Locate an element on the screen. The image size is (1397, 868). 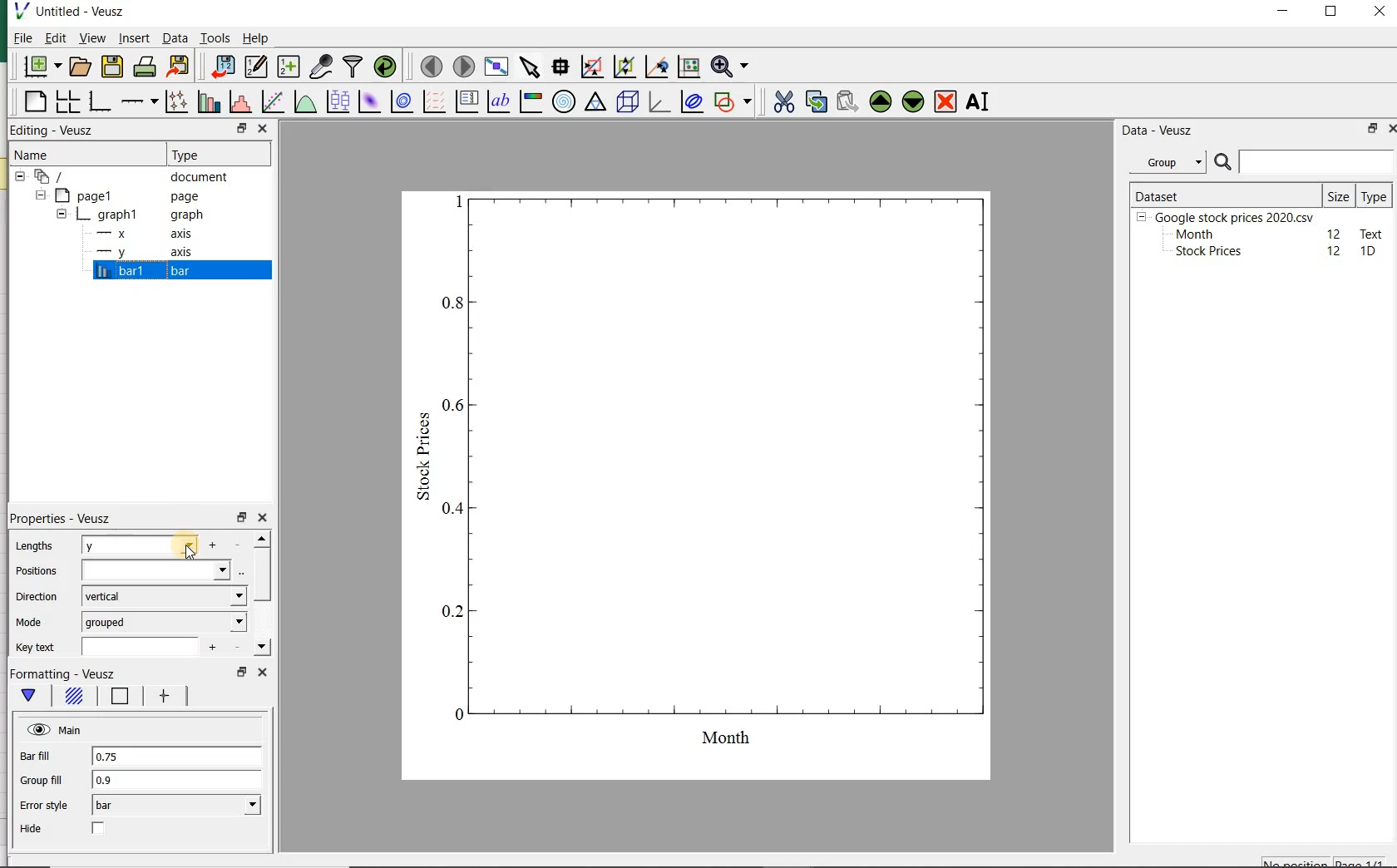
add a shape to the plot is located at coordinates (733, 102).